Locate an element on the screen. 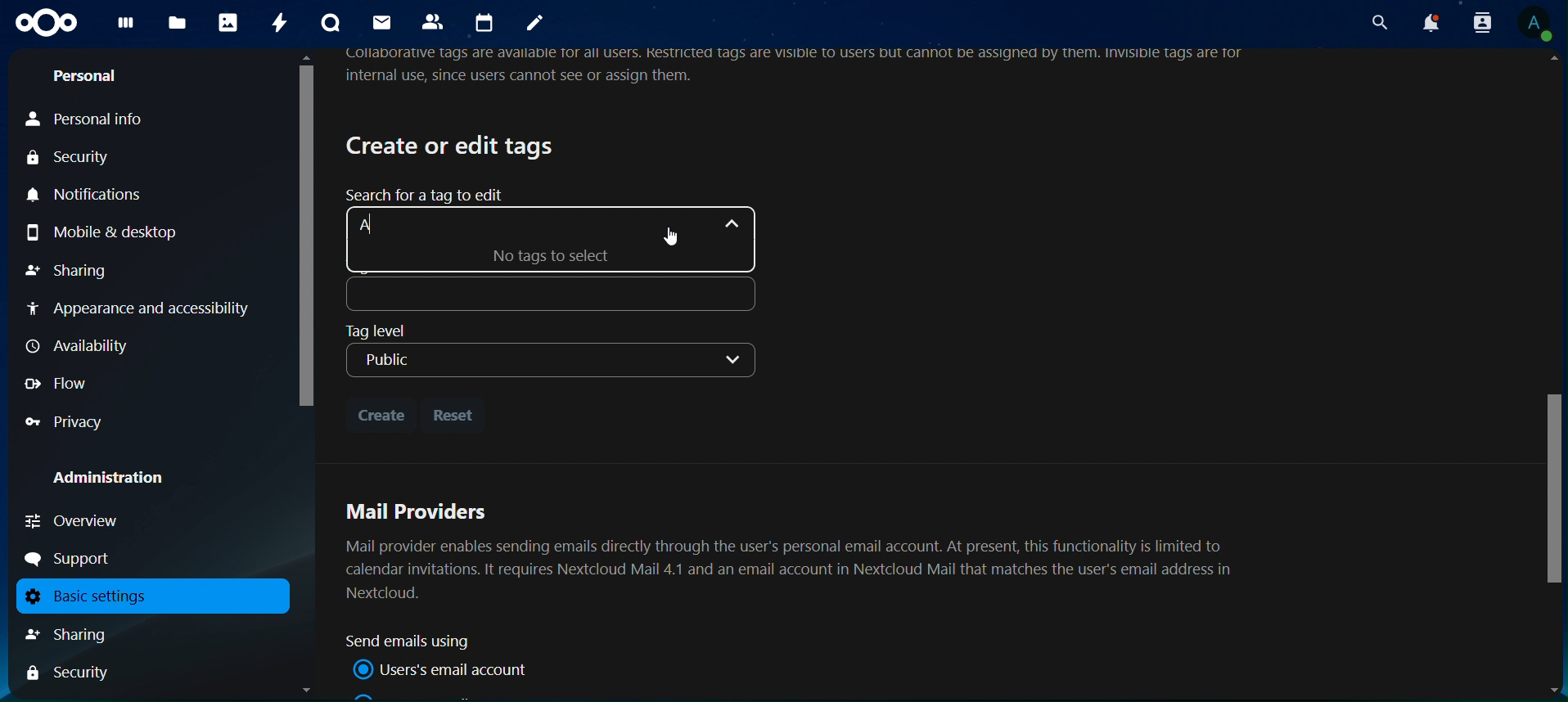 Image resolution: width=1568 pixels, height=702 pixels. reset is located at coordinates (457, 415).